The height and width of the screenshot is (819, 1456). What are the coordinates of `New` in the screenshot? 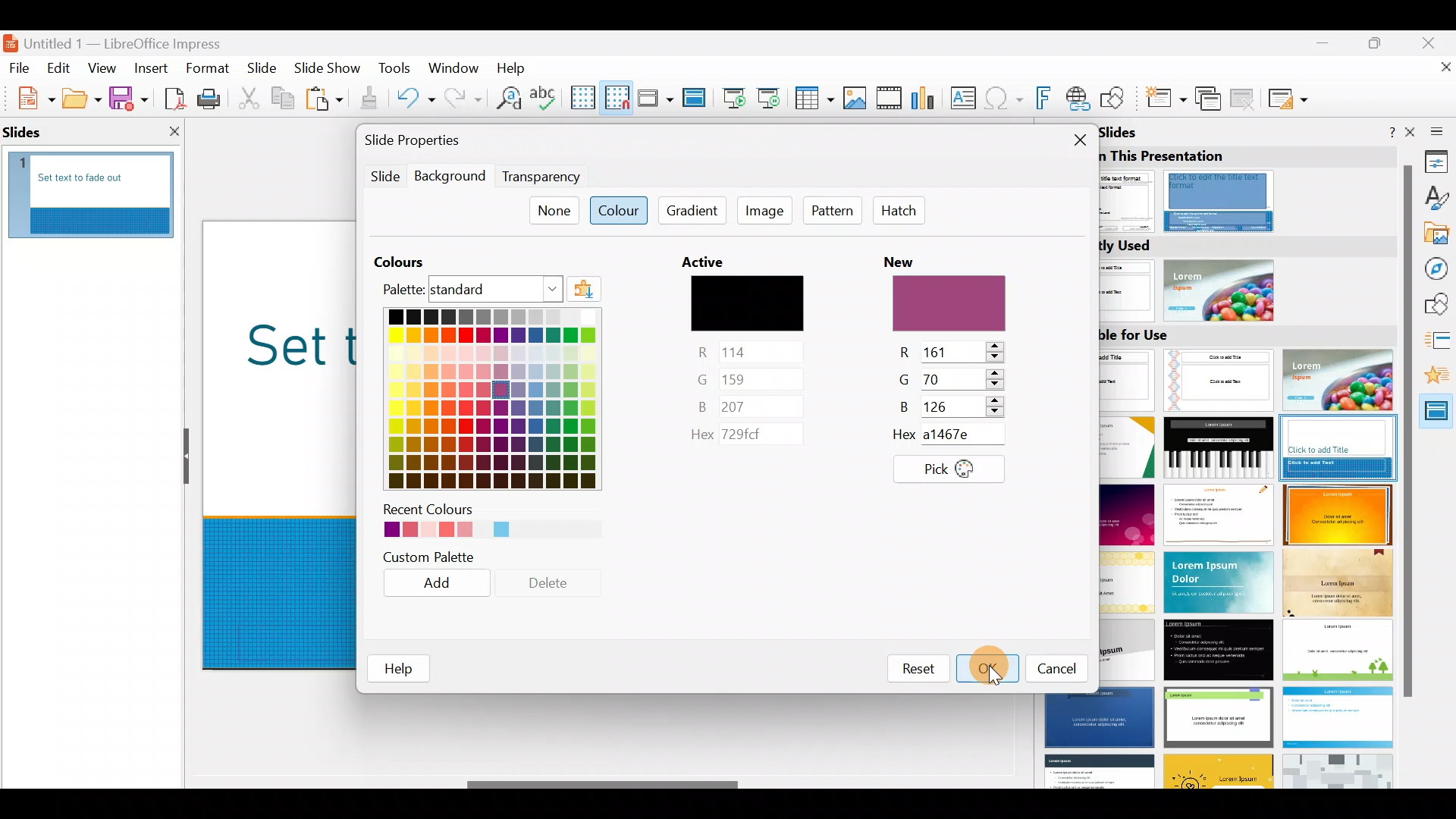 It's located at (28, 96).